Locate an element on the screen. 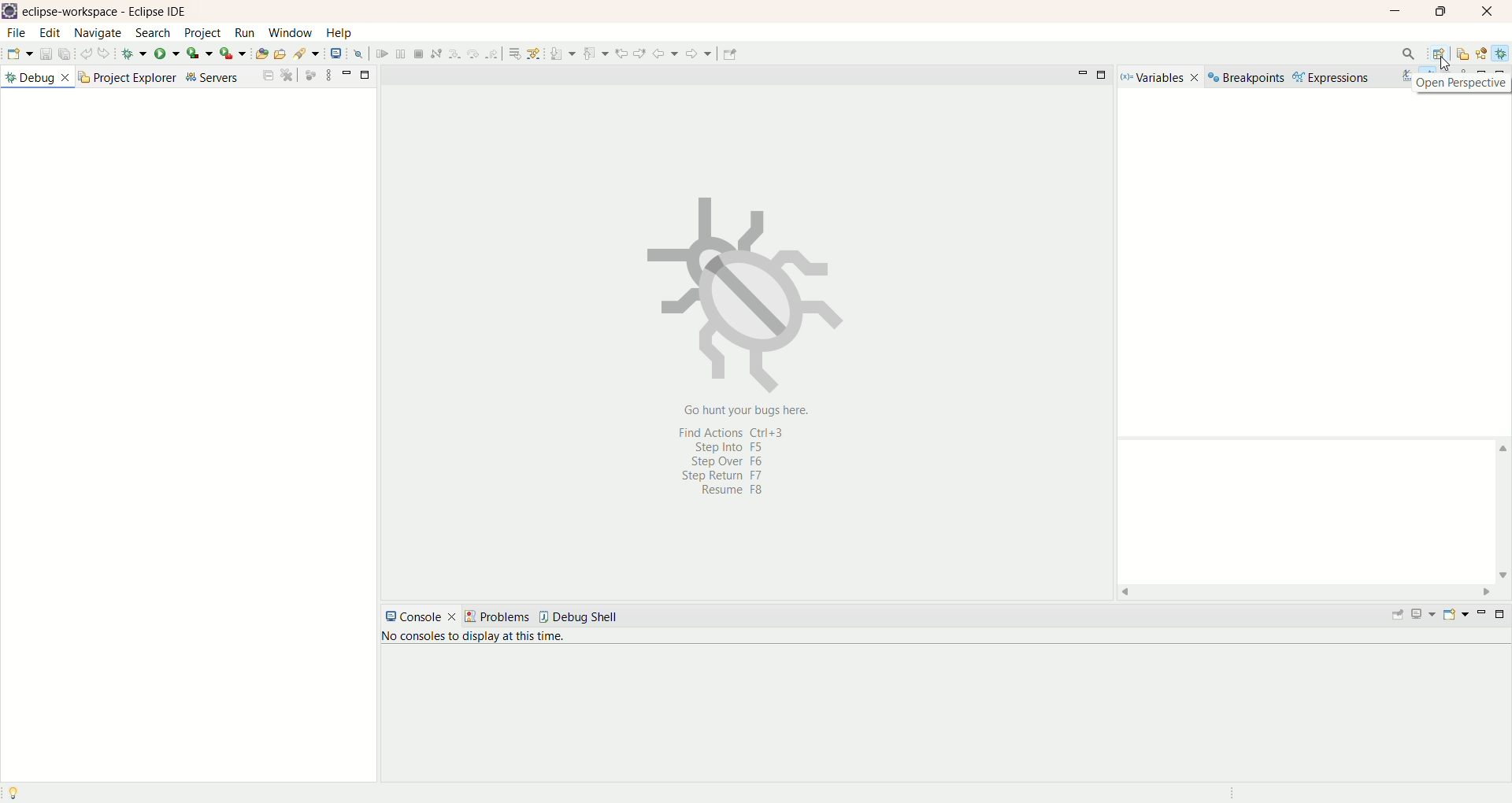  maximize is located at coordinates (365, 73).